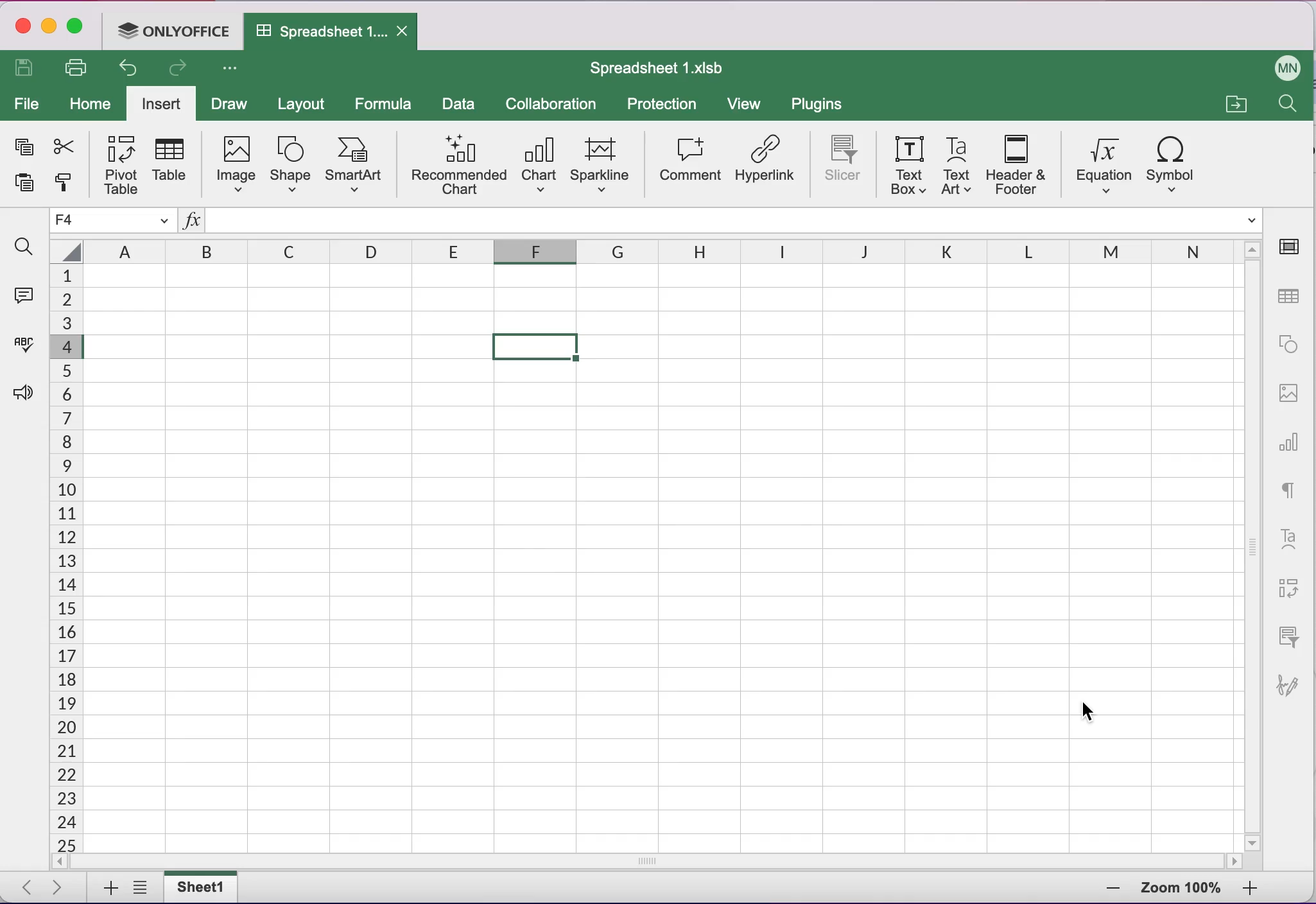  Describe the element at coordinates (746, 104) in the screenshot. I see `view` at that location.